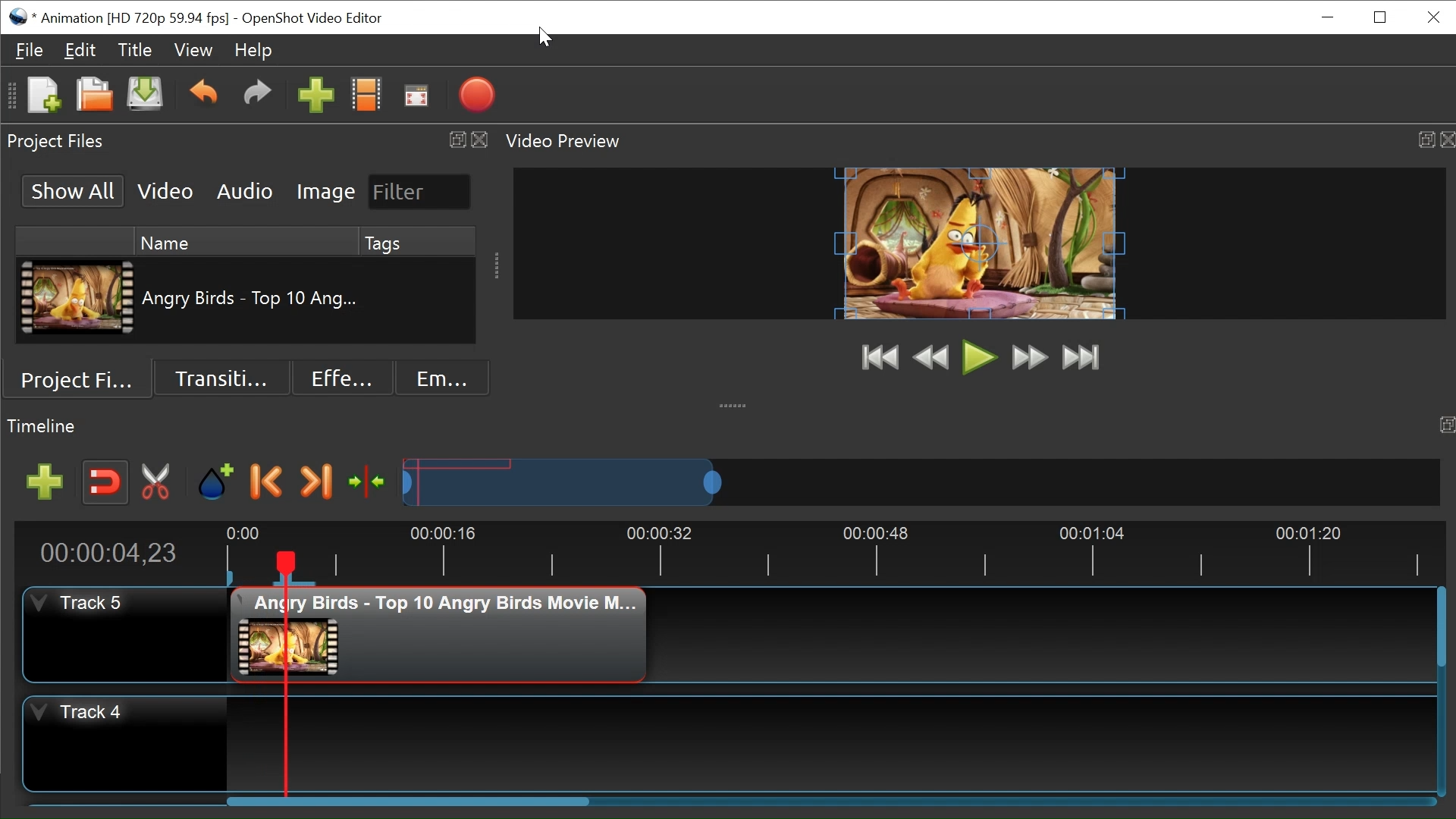 Image resolution: width=1456 pixels, height=819 pixels. Describe the element at coordinates (1326, 17) in the screenshot. I see `minimize` at that location.